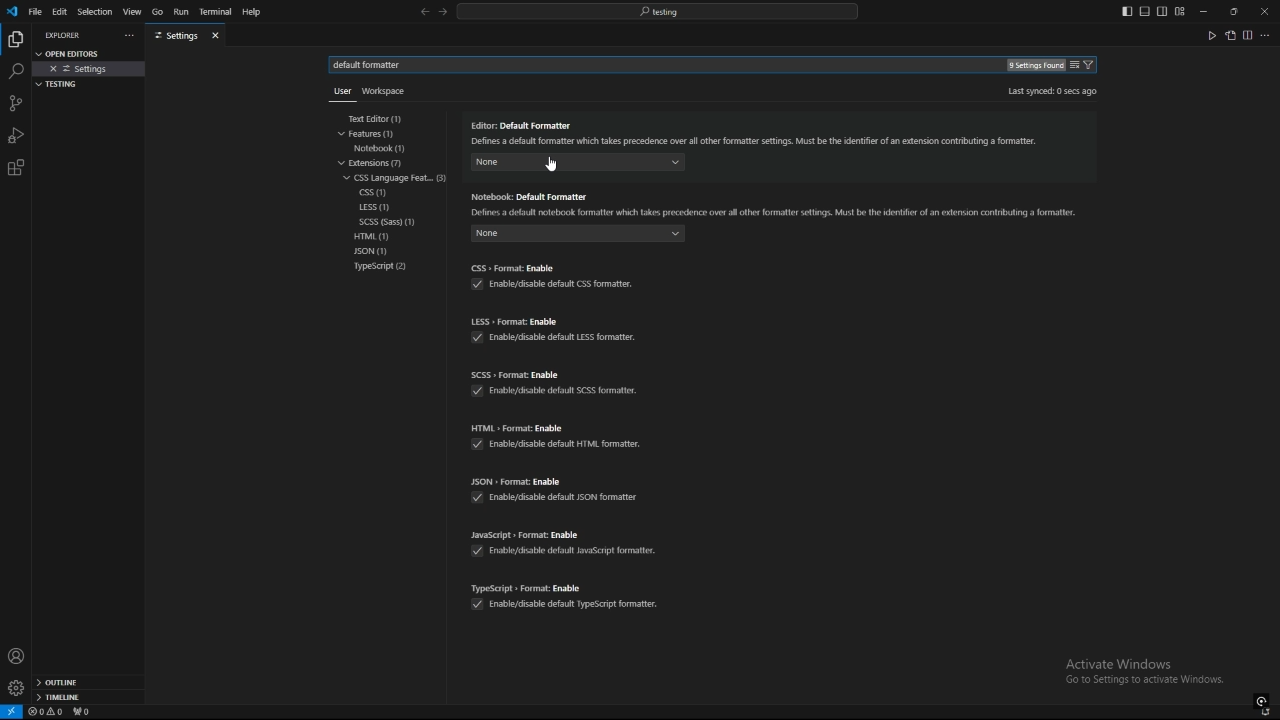  I want to click on search, so click(15, 72).